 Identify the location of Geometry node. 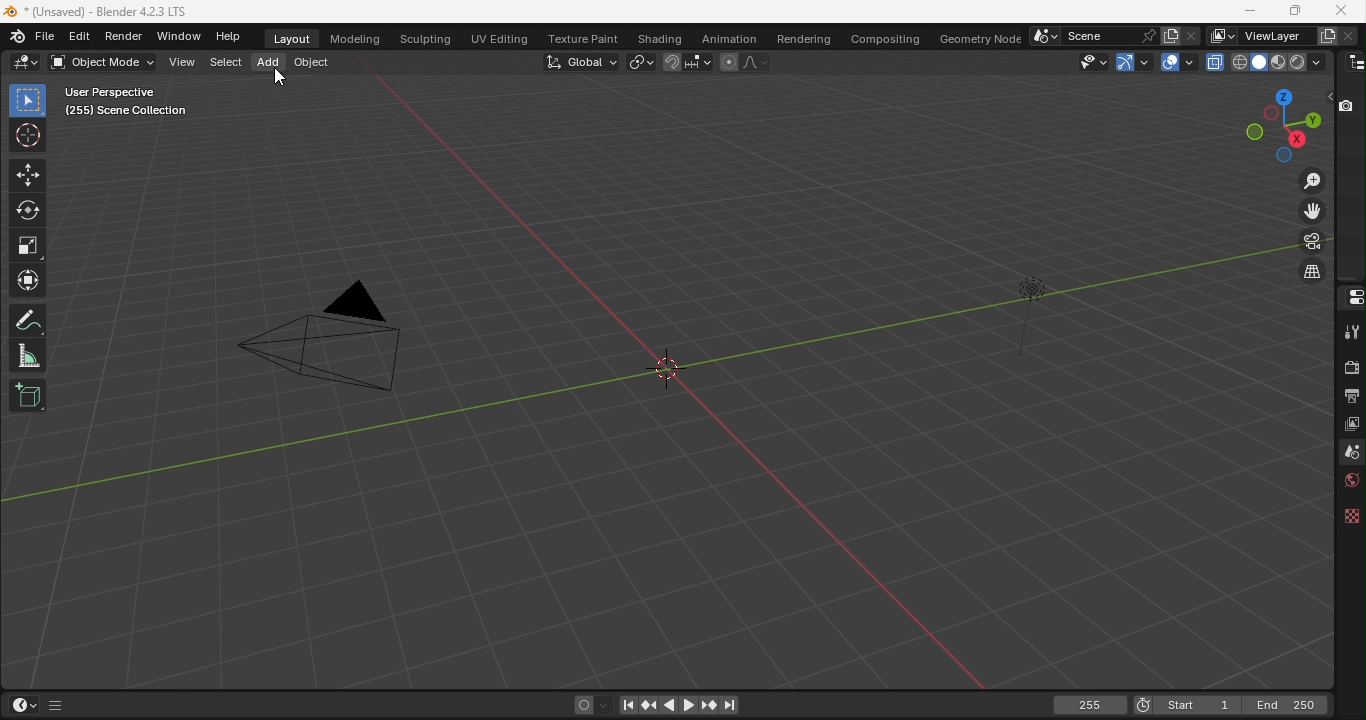
(979, 37).